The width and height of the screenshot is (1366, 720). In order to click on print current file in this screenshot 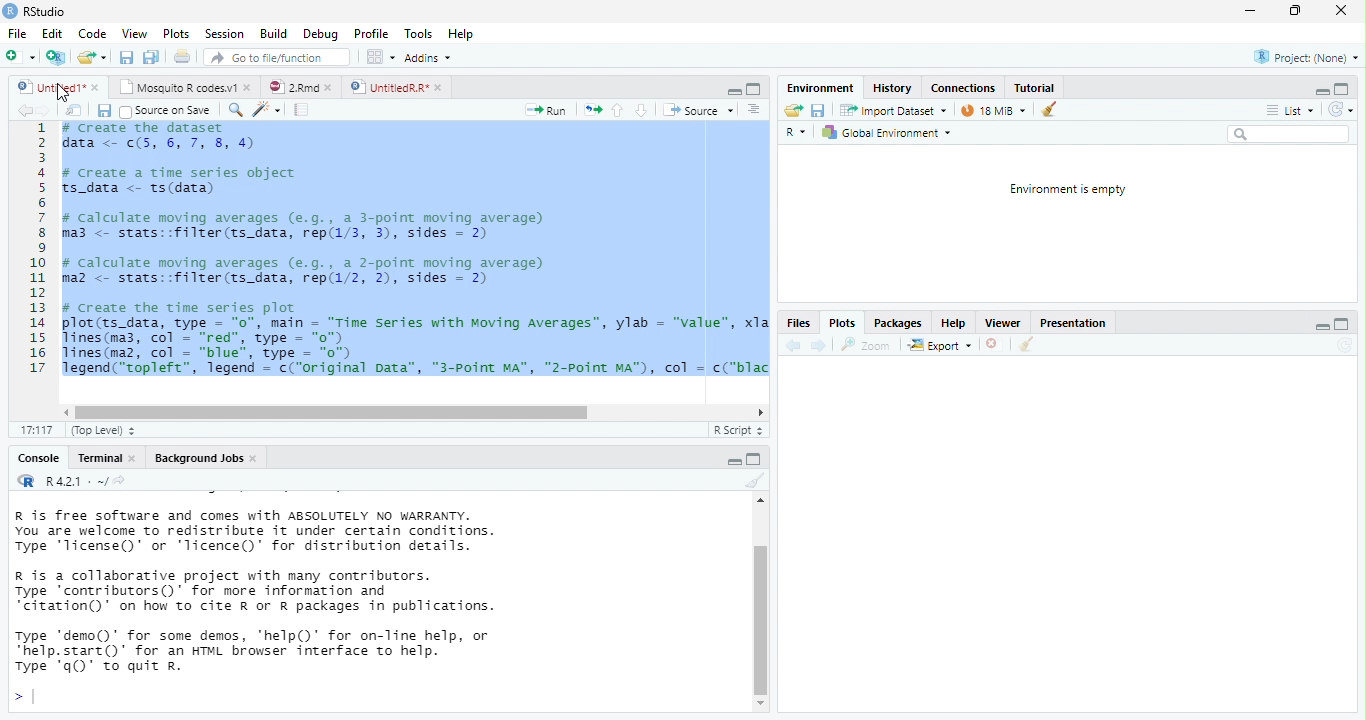, I will do `click(183, 56)`.